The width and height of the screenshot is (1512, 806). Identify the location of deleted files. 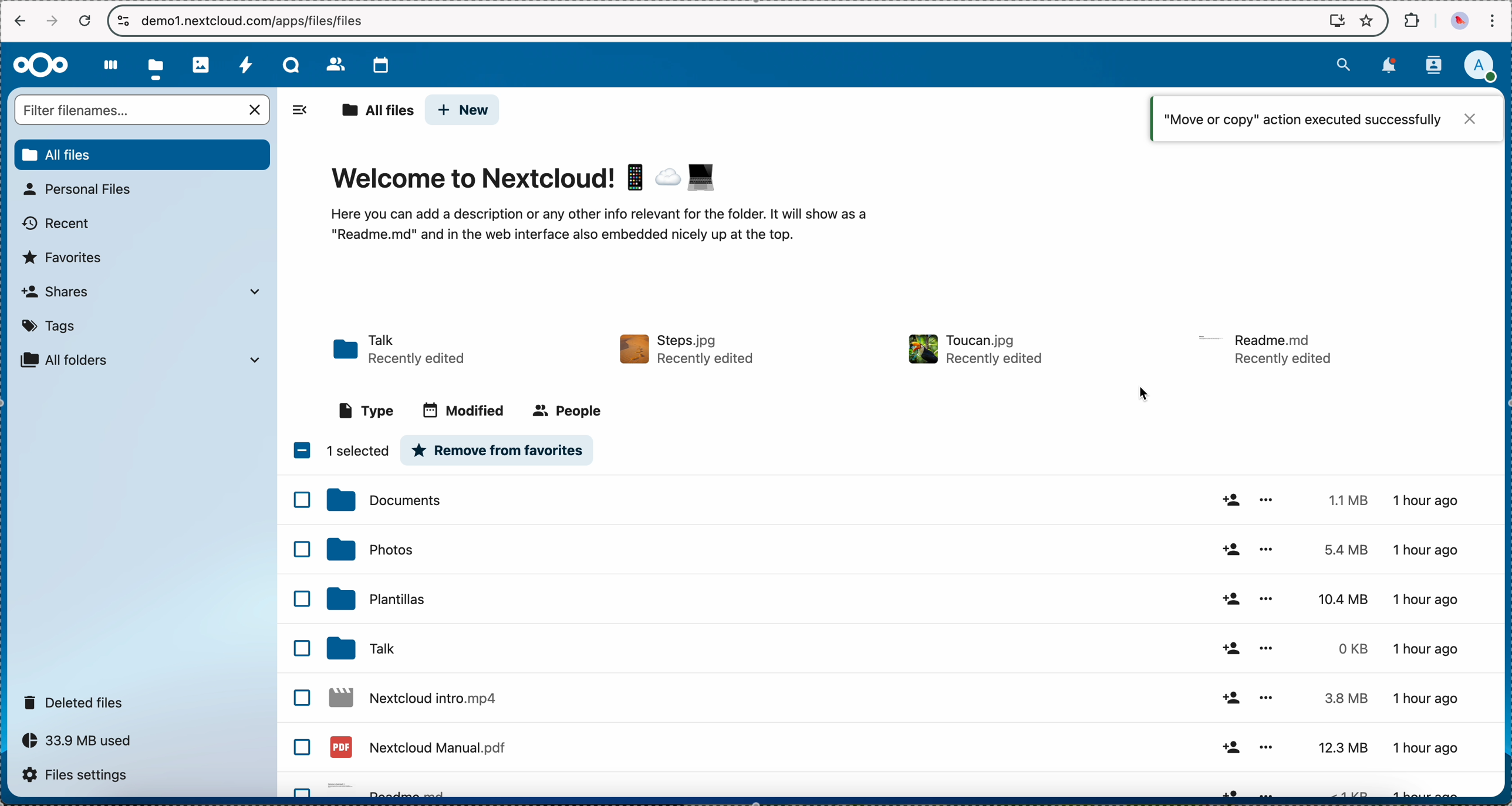
(78, 701).